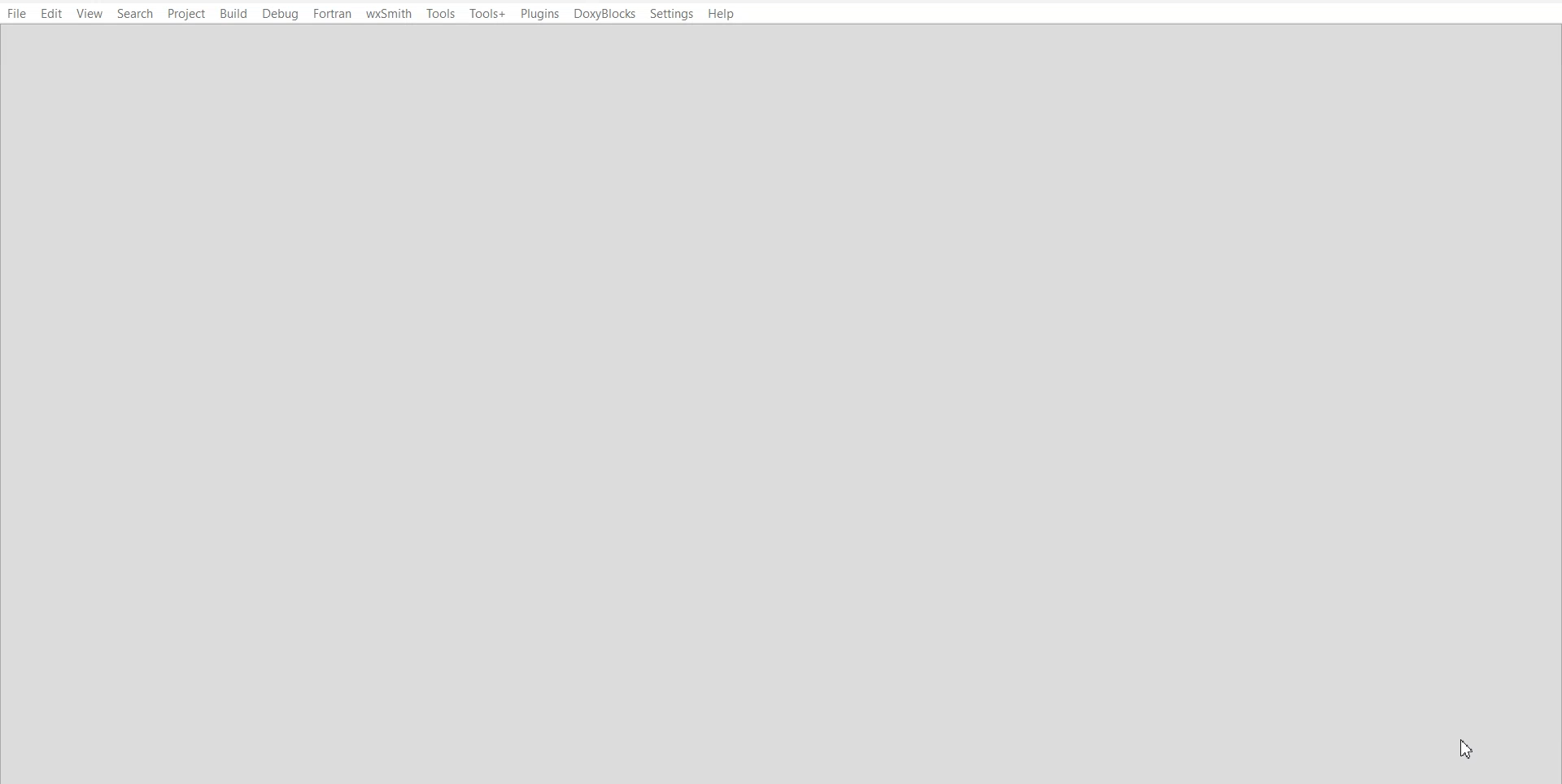 This screenshot has width=1562, height=784. What do you see at coordinates (389, 13) in the screenshot?
I see `wxSmith` at bounding box center [389, 13].